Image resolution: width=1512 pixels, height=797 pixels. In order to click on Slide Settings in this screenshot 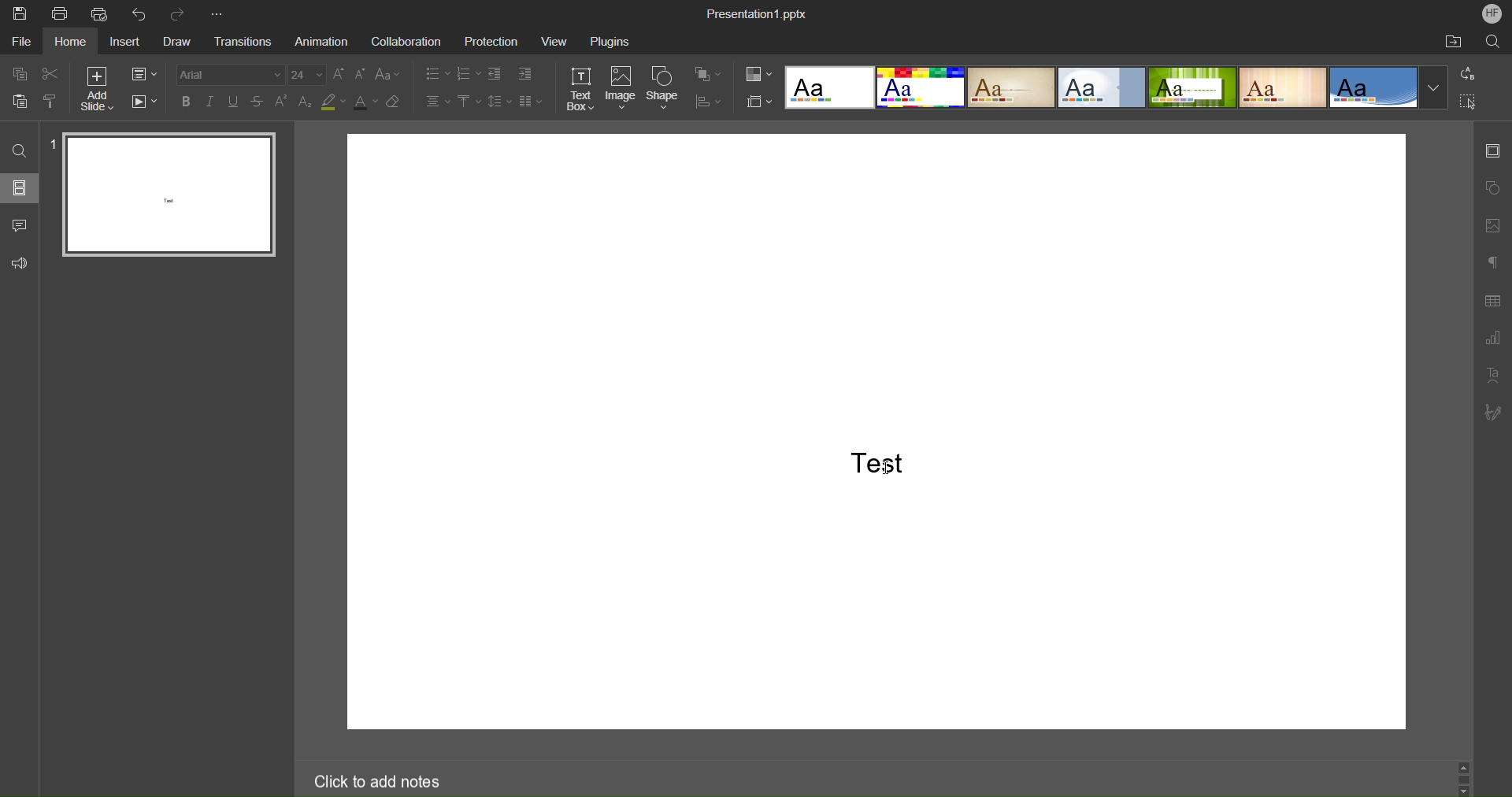, I will do `click(144, 73)`.